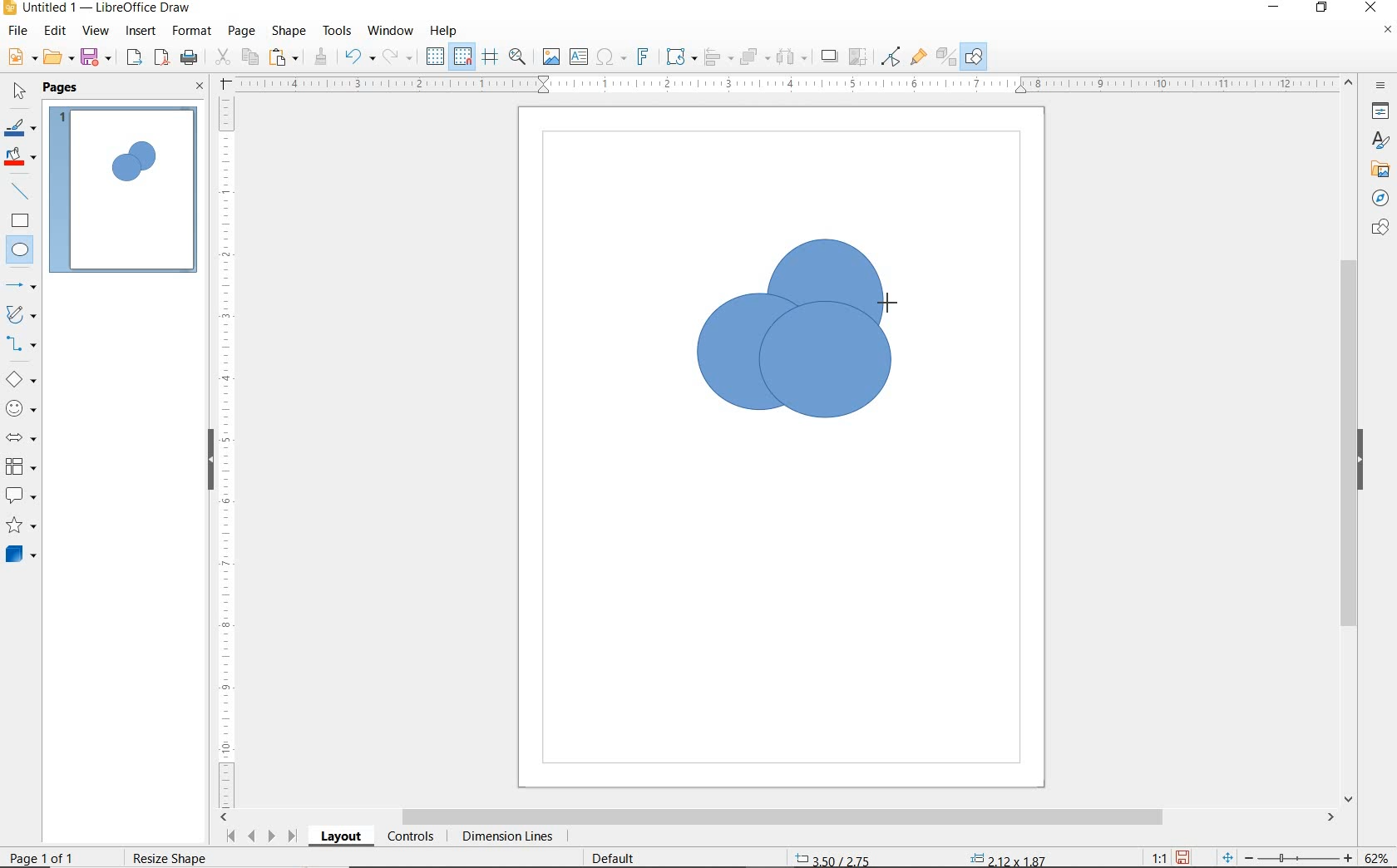 The height and width of the screenshot is (868, 1397). I want to click on PAGES, so click(62, 87).